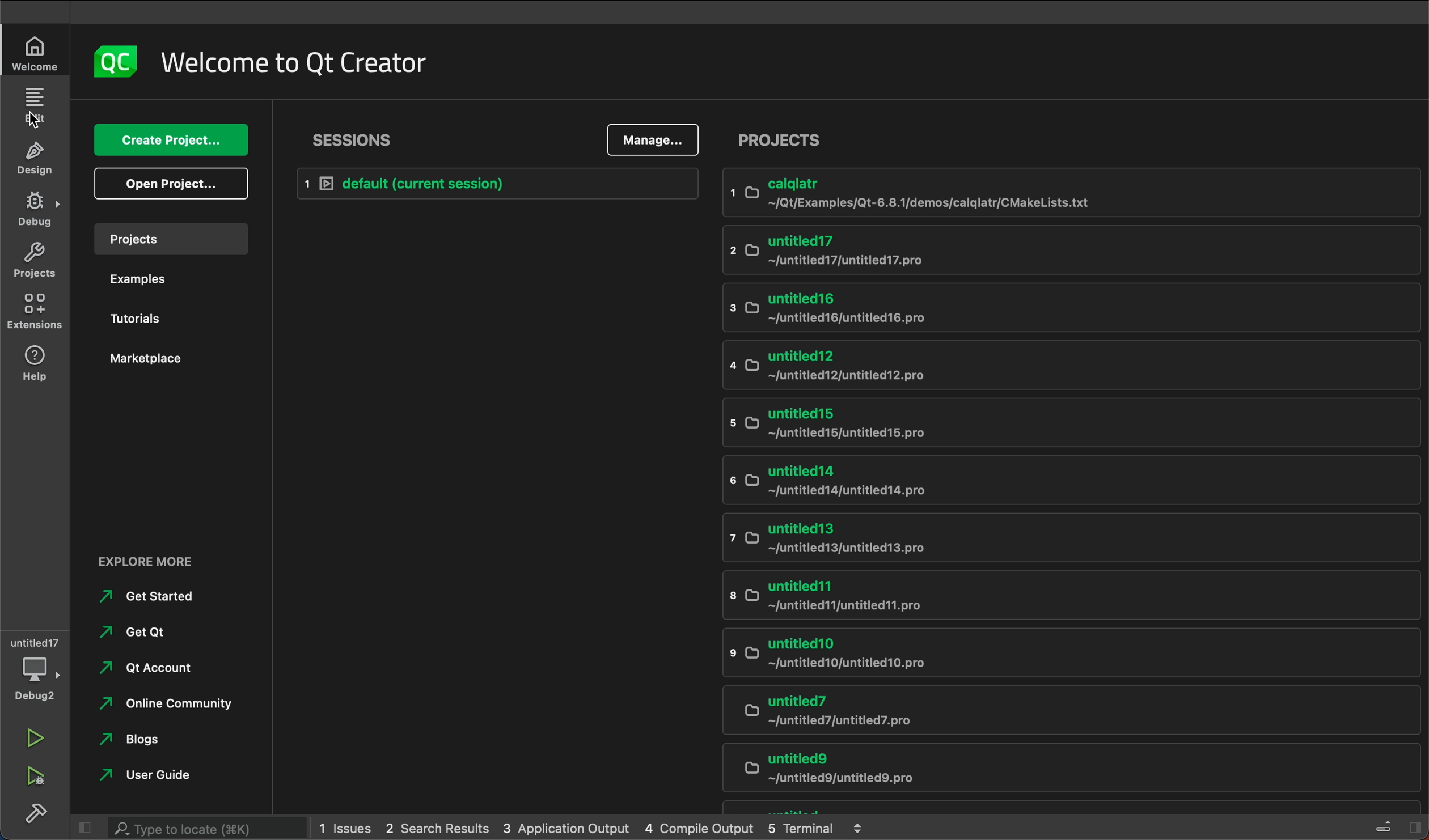 The image size is (1429, 840). What do you see at coordinates (935, 769) in the screenshot?
I see `untitled9` at bounding box center [935, 769].